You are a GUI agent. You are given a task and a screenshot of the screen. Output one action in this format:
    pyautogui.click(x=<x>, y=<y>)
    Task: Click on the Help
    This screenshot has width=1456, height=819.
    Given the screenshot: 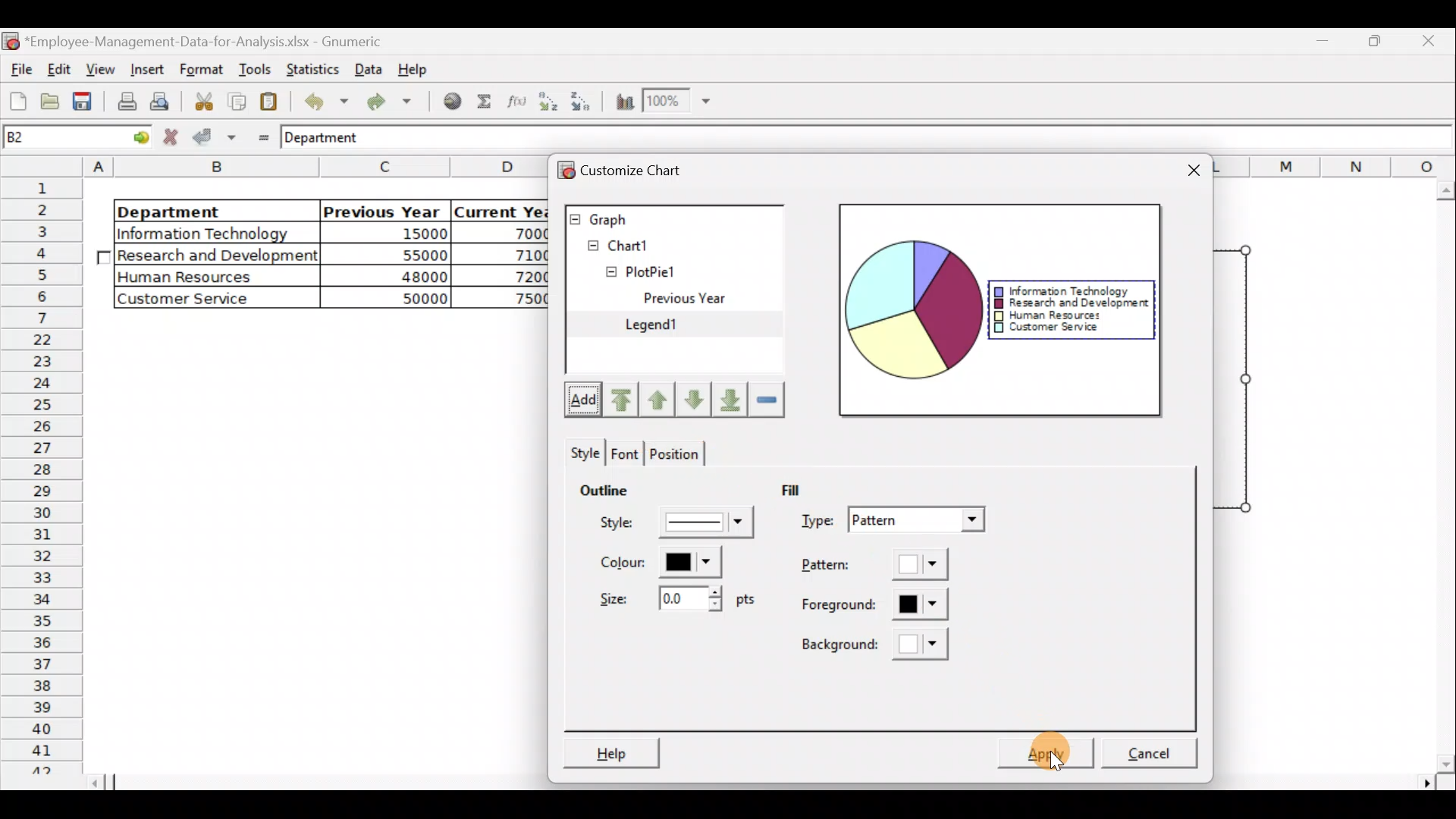 What is the action you would take?
    pyautogui.click(x=416, y=73)
    